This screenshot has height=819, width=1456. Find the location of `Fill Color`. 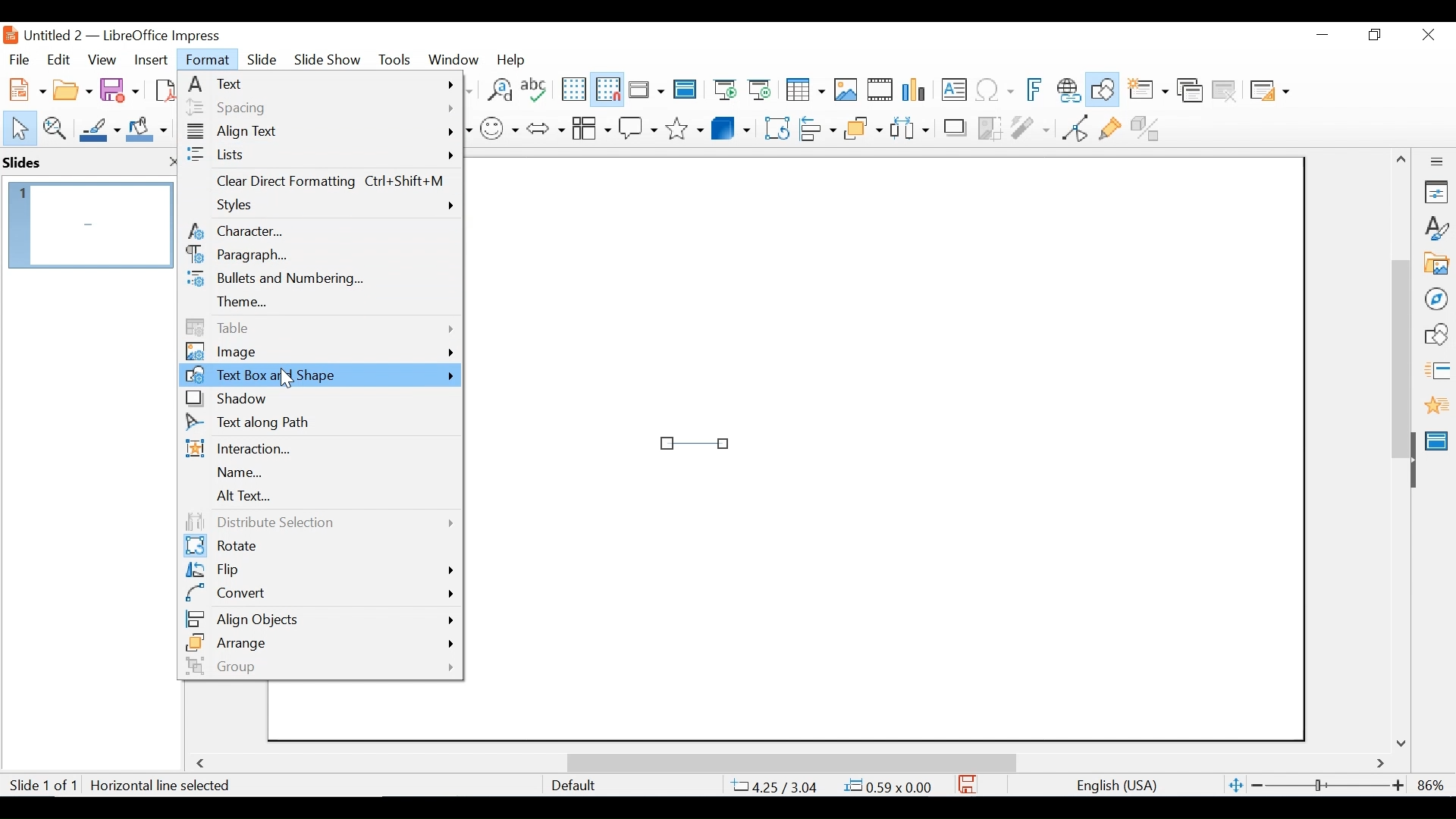

Fill Color is located at coordinates (147, 129).